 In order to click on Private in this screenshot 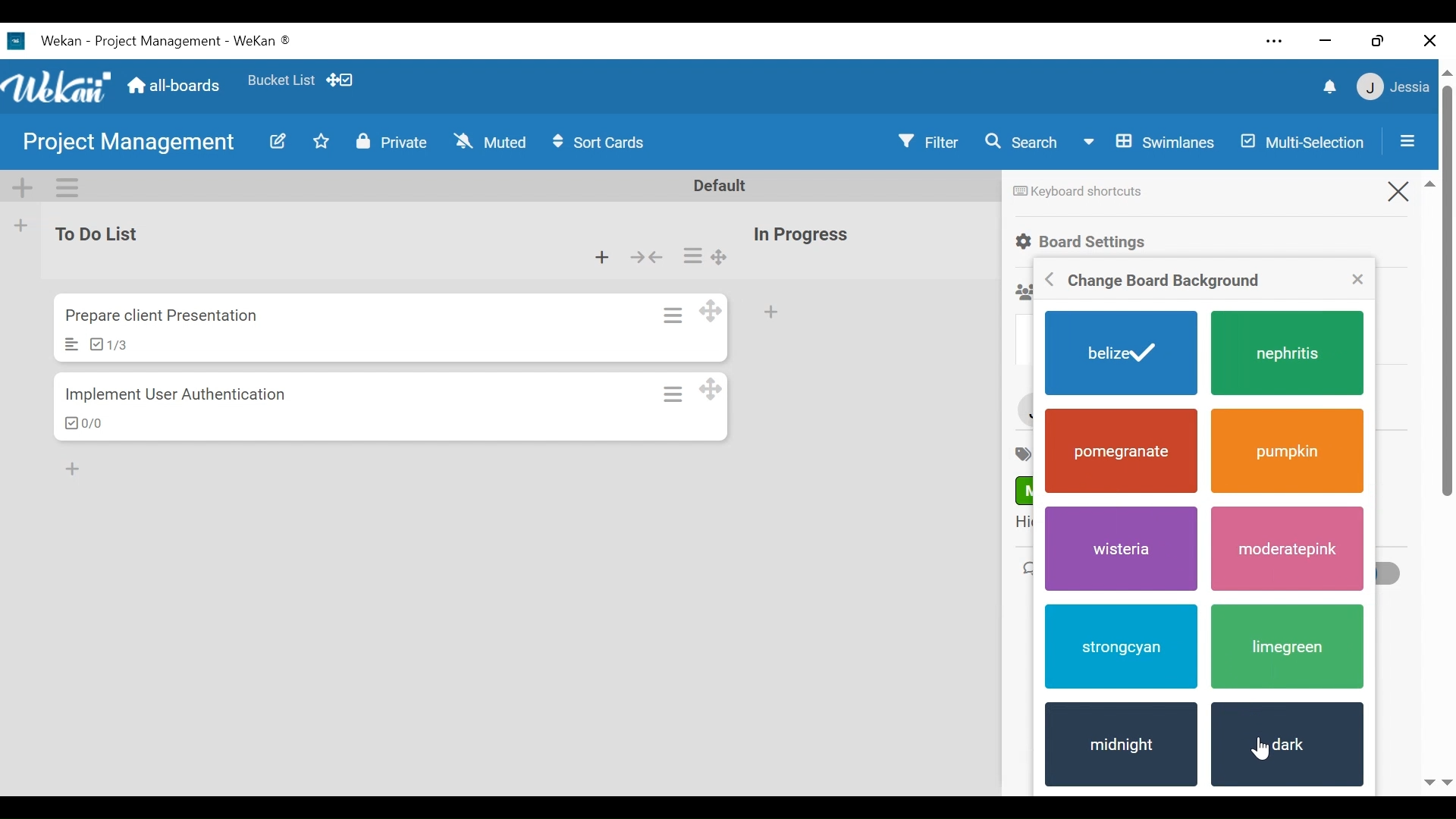, I will do `click(391, 142)`.